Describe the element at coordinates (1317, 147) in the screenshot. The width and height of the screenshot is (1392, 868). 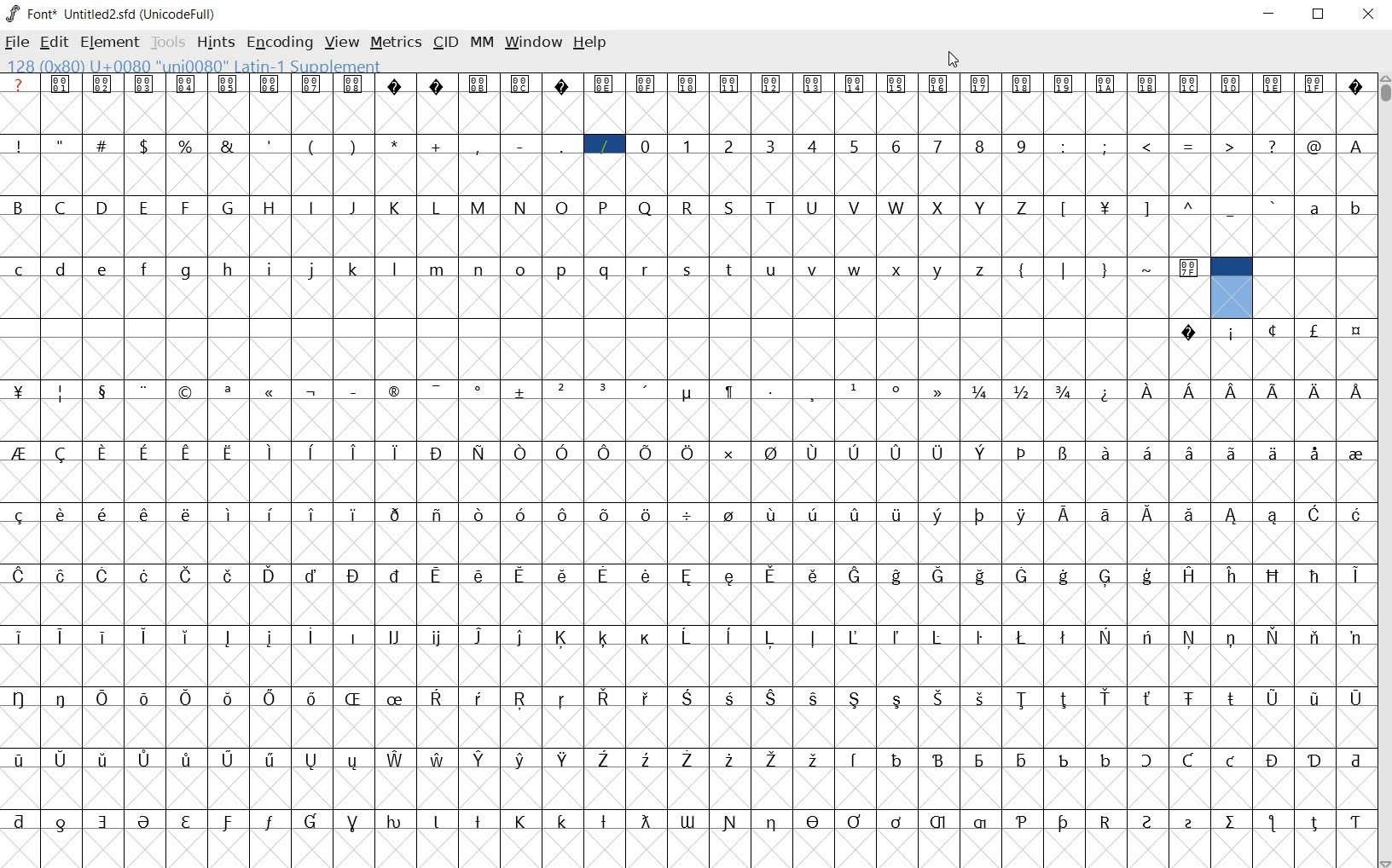
I see `@` at that location.